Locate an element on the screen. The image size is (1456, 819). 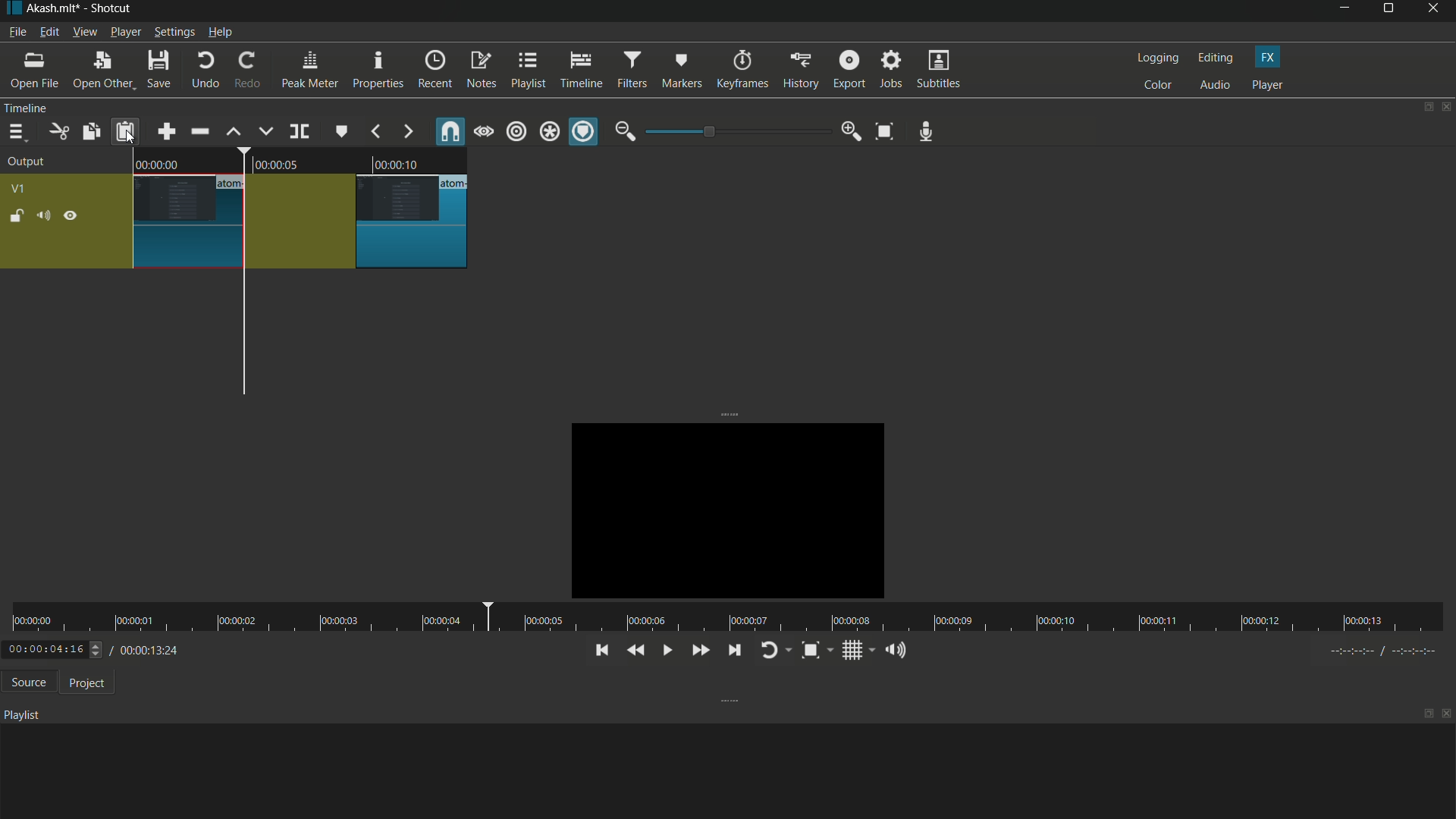
paste is located at coordinates (125, 133).